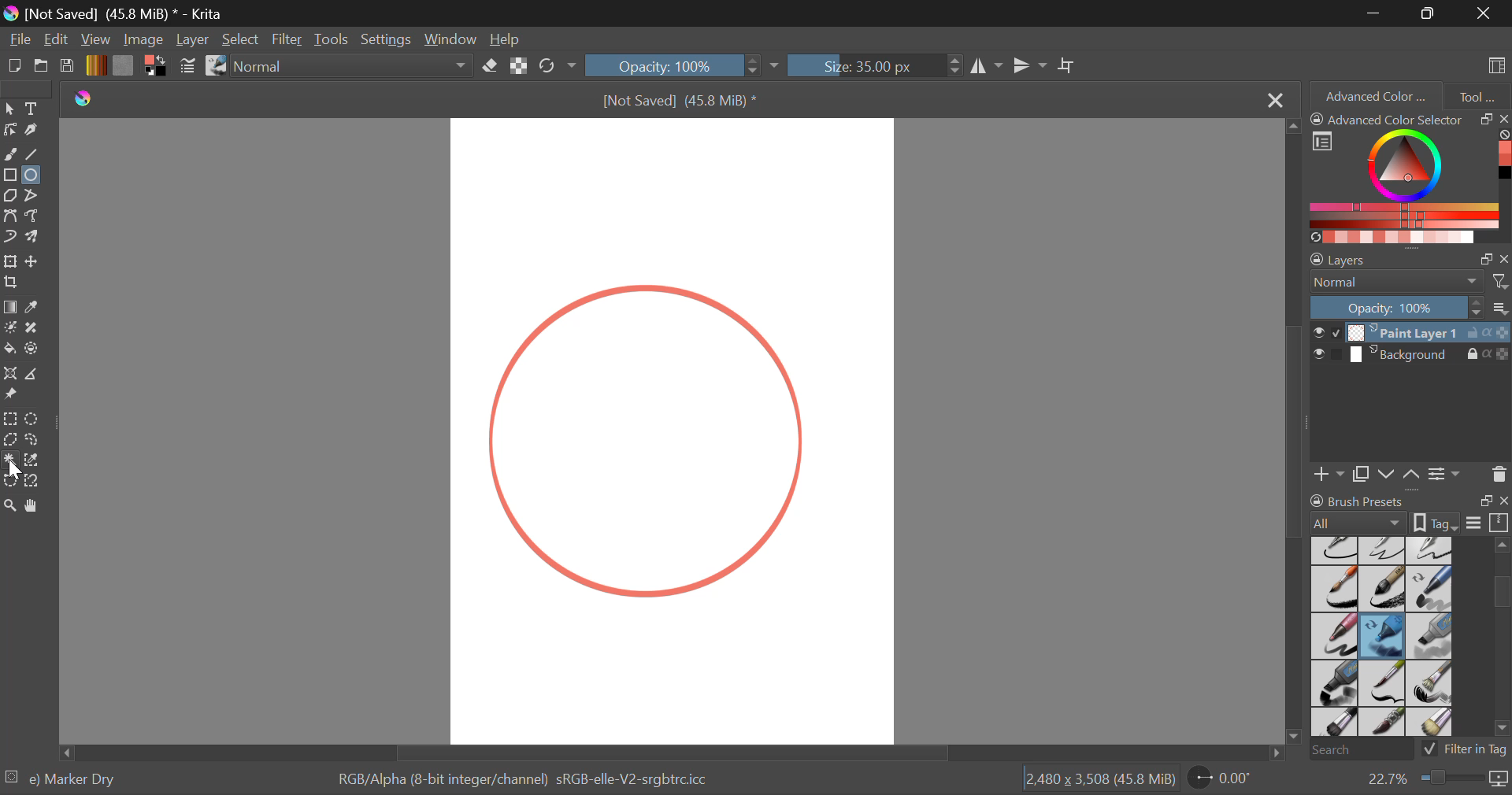 This screenshot has height=795, width=1512. What do you see at coordinates (1410, 357) in the screenshot?
I see `Background Layer` at bounding box center [1410, 357].